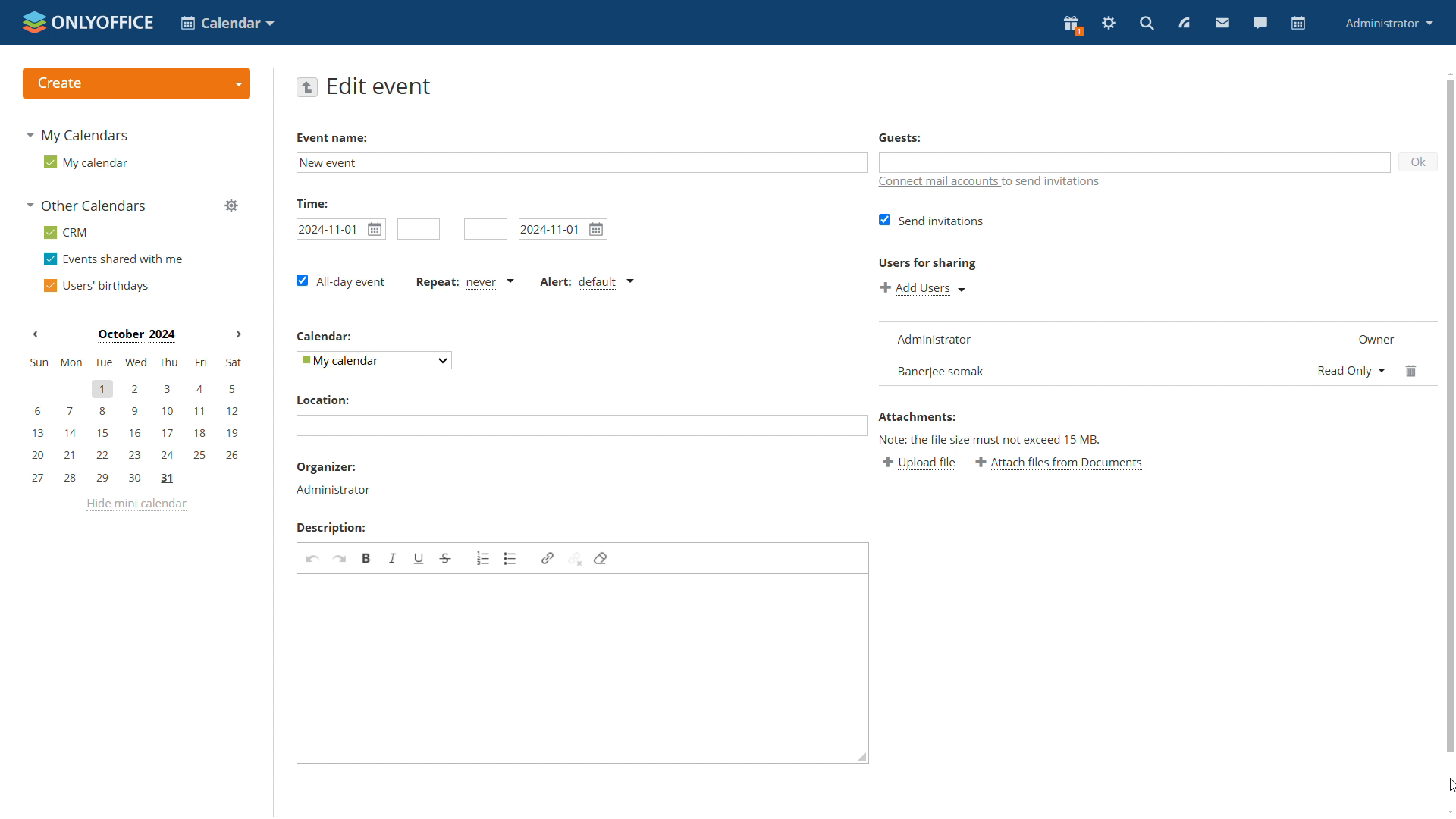 The image size is (1456, 819). I want to click on alert type, so click(587, 284).